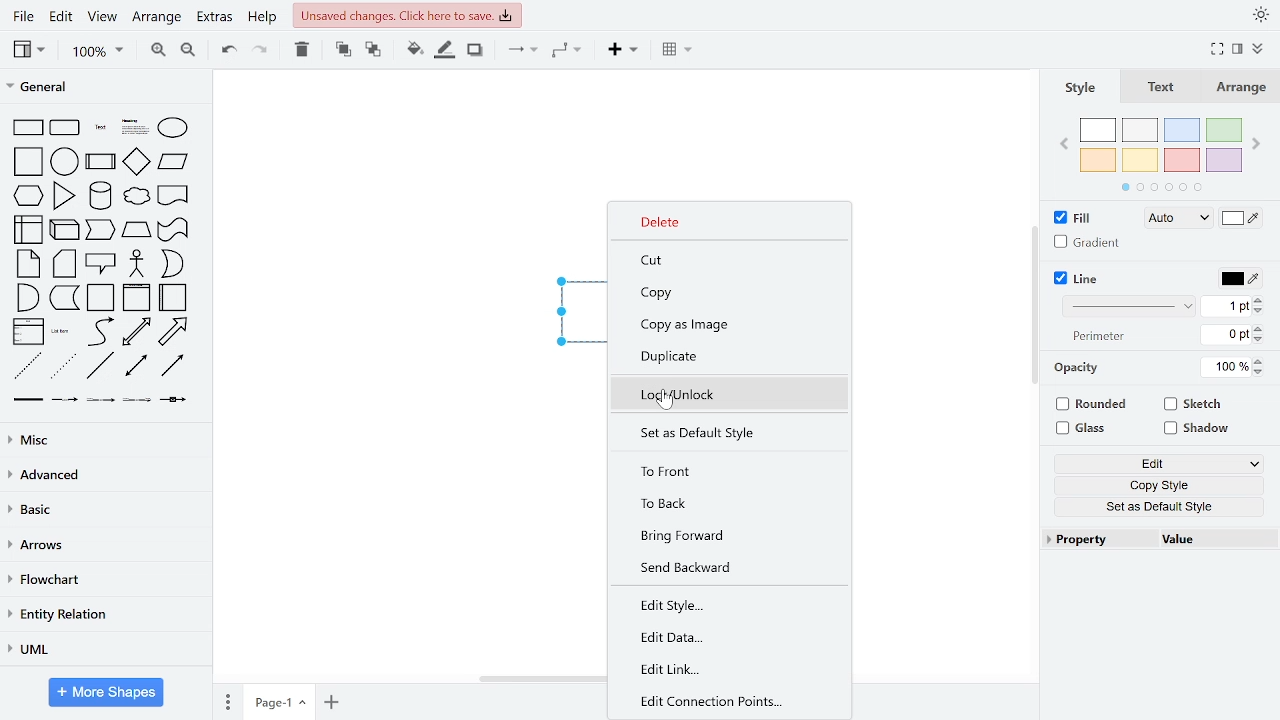 Image resolution: width=1280 pixels, height=720 pixels. I want to click on undo, so click(226, 50).